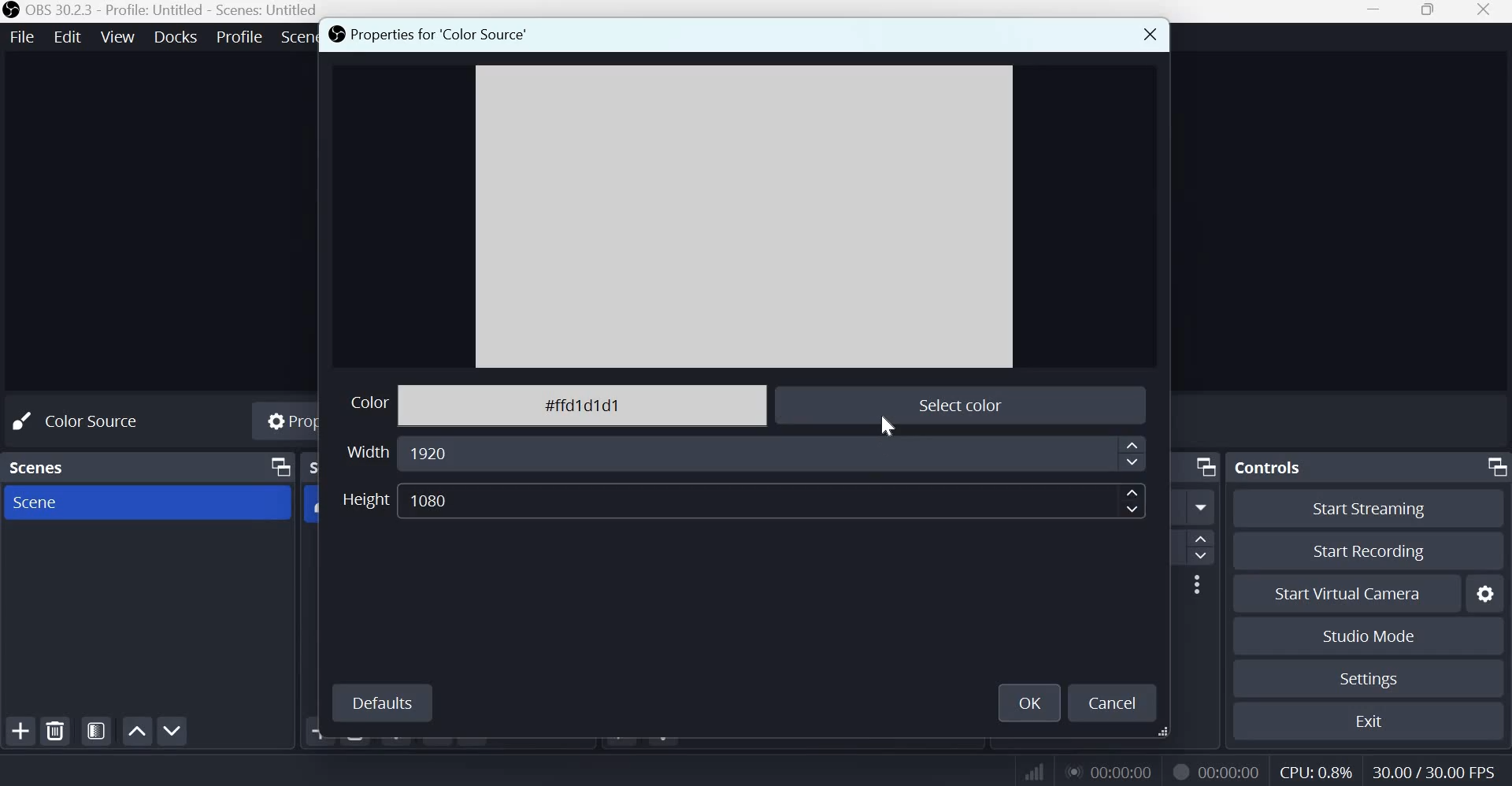 This screenshot has width=1512, height=786. Describe the element at coordinates (1197, 584) in the screenshot. I see `More options` at that location.